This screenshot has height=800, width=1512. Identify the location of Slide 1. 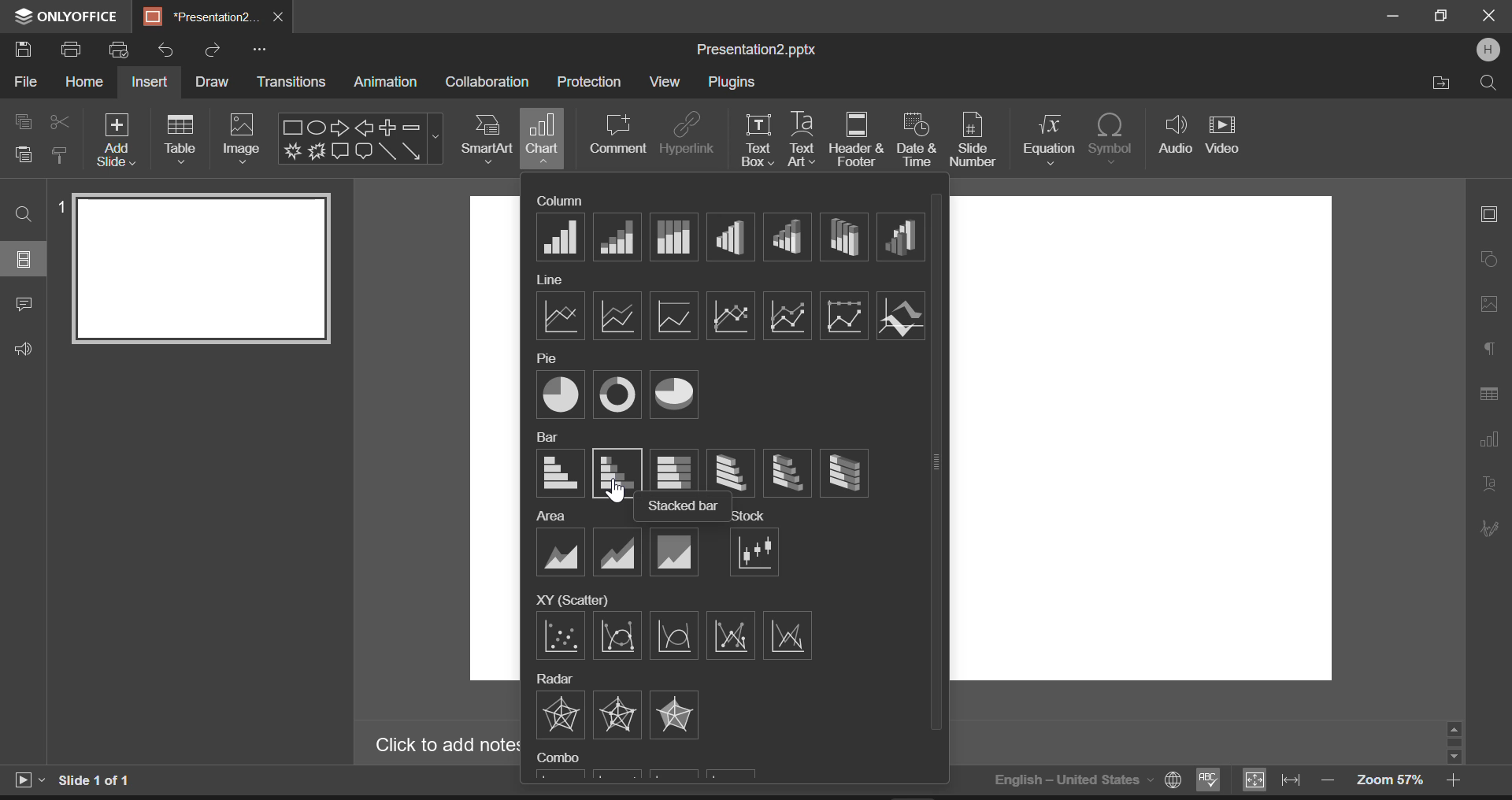
(195, 268).